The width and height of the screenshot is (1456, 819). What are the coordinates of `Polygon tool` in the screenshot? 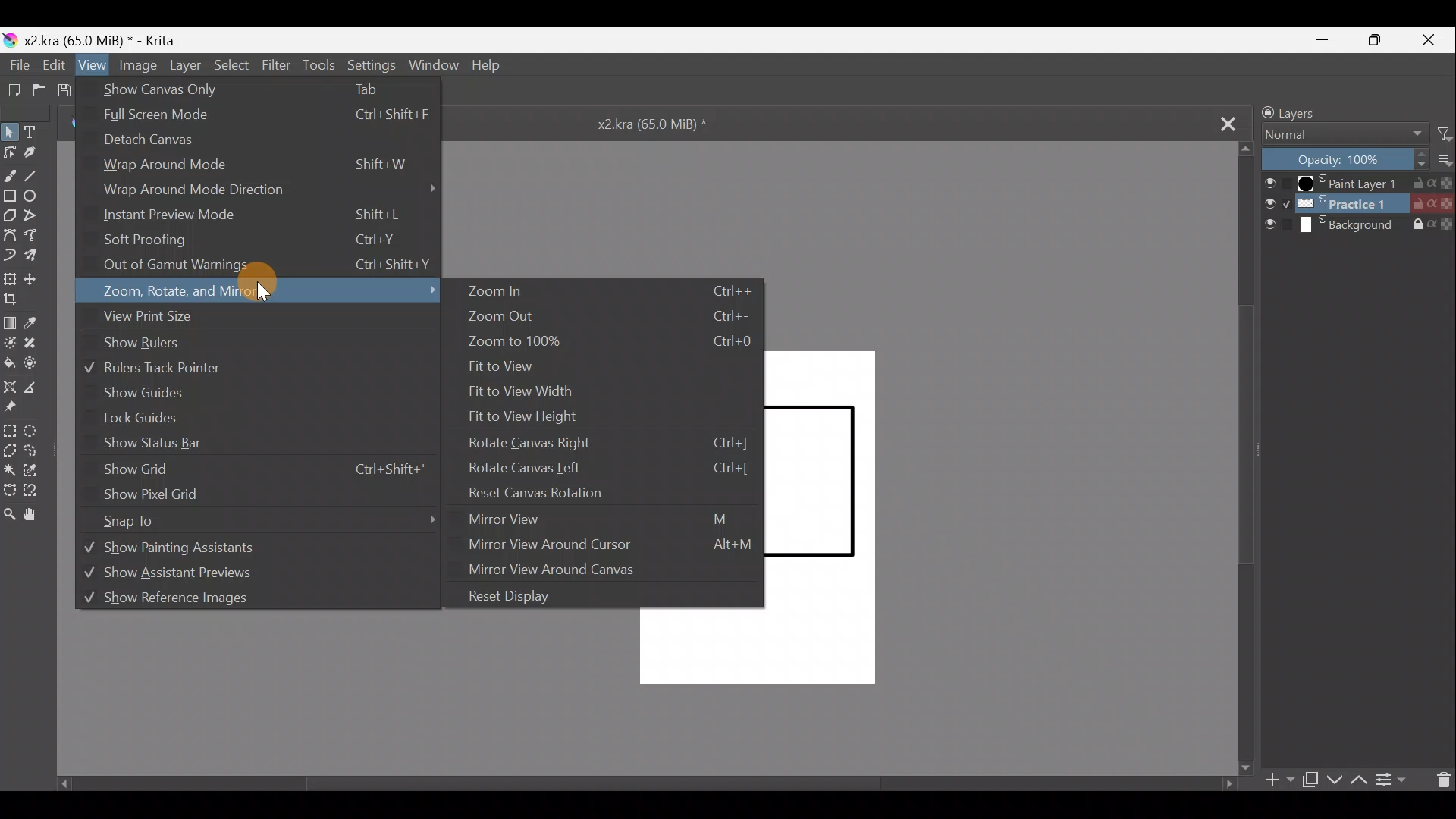 It's located at (10, 214).